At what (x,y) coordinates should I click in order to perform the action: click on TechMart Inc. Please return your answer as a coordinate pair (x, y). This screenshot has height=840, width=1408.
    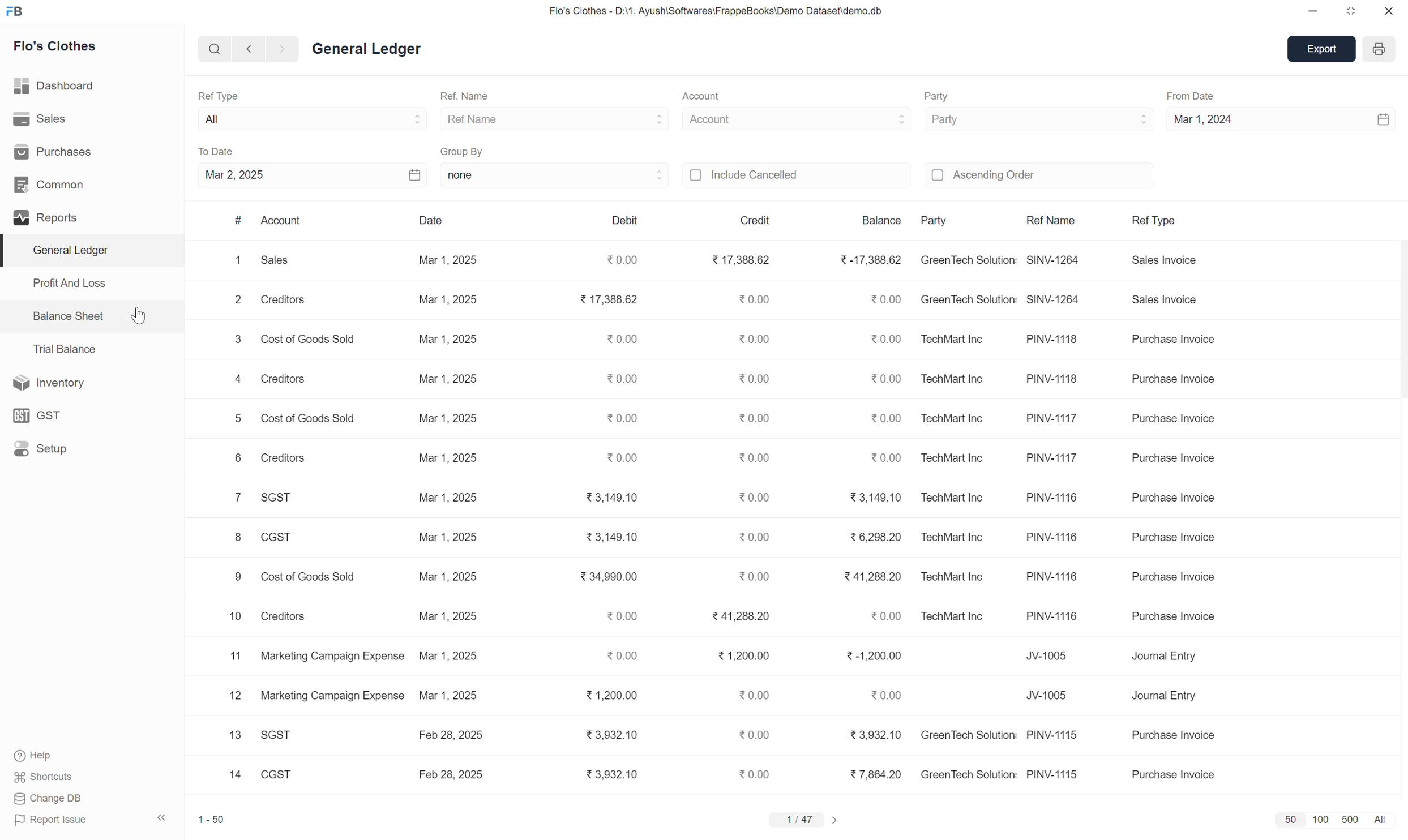
    Looking at the image, I should click on (953, 499).